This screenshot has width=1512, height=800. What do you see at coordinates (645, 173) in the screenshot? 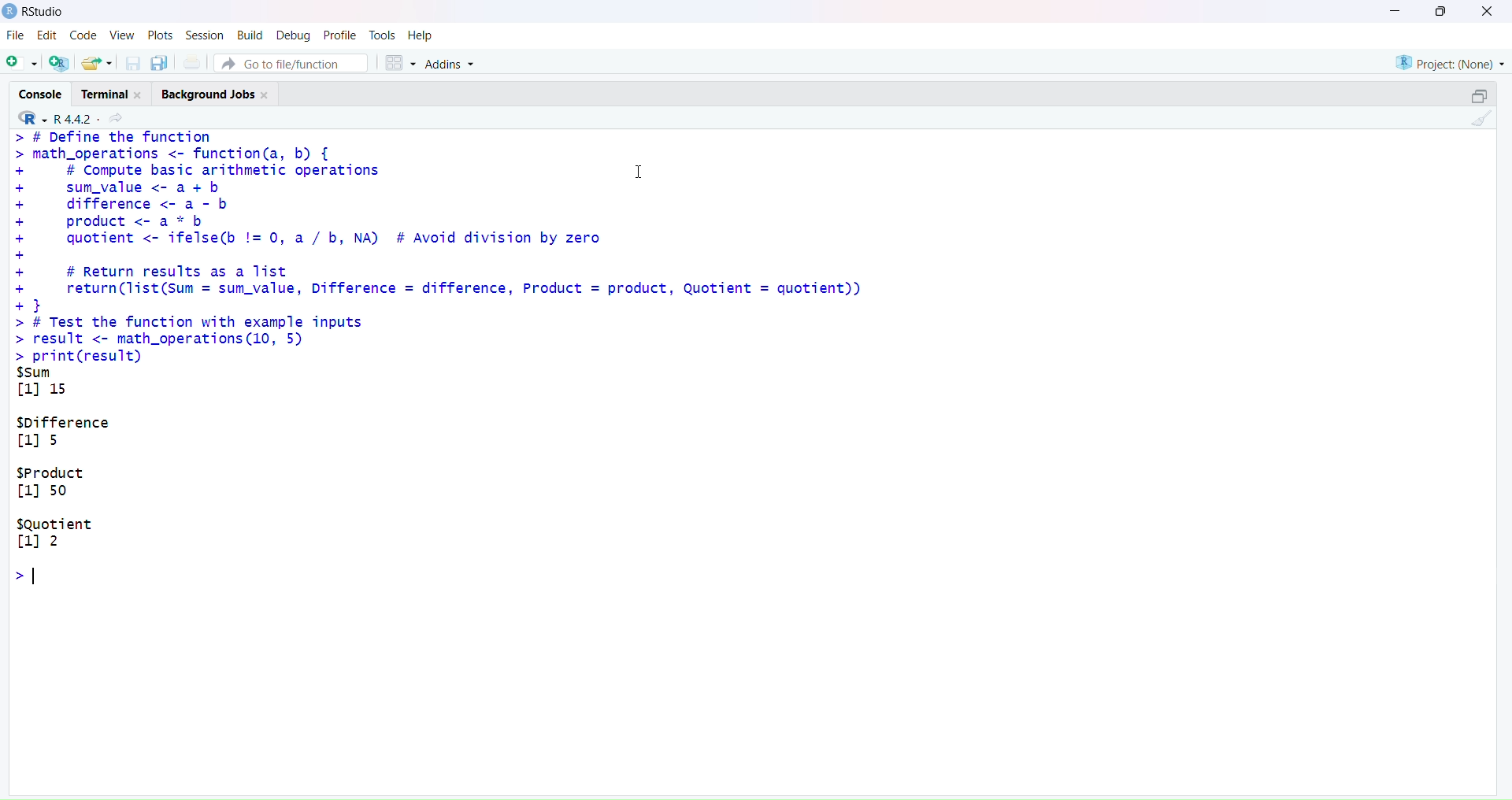
I see `Text cursor` at bounding box center [645, 173].